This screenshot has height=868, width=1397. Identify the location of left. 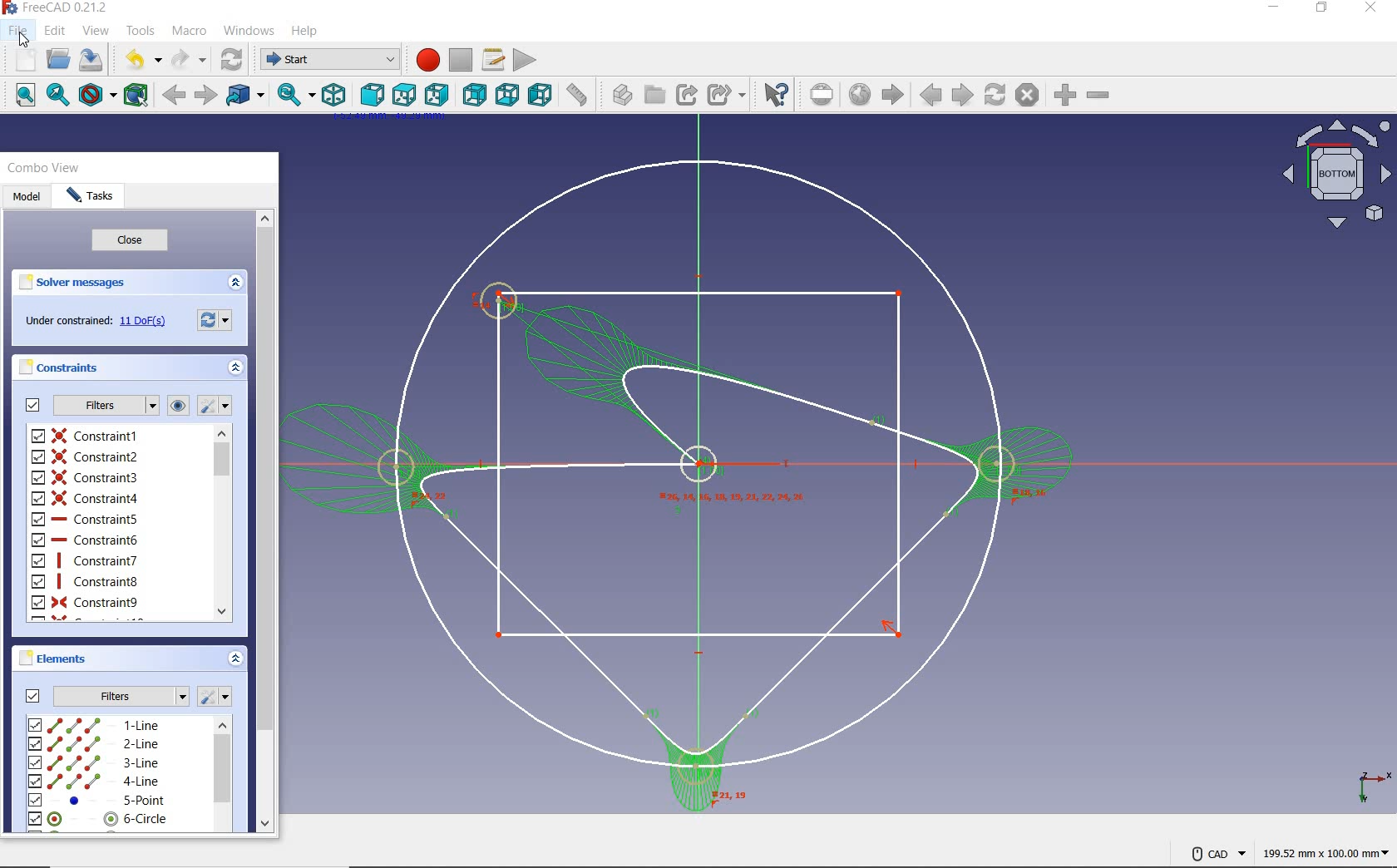
(540, 96).